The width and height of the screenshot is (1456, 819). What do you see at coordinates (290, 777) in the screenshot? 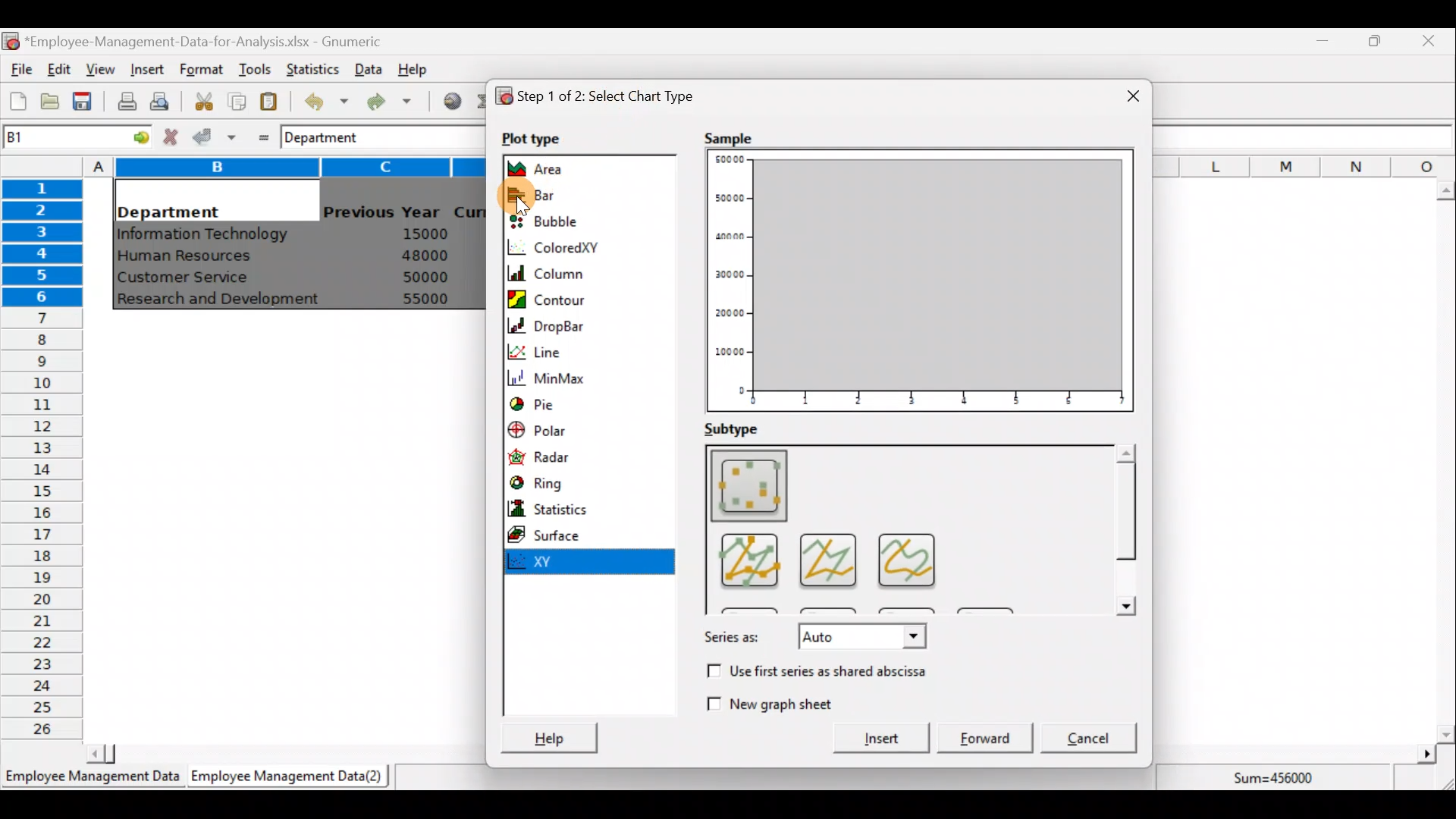
I see `Employee Management Data (2)` at bounding box center [290, 777].